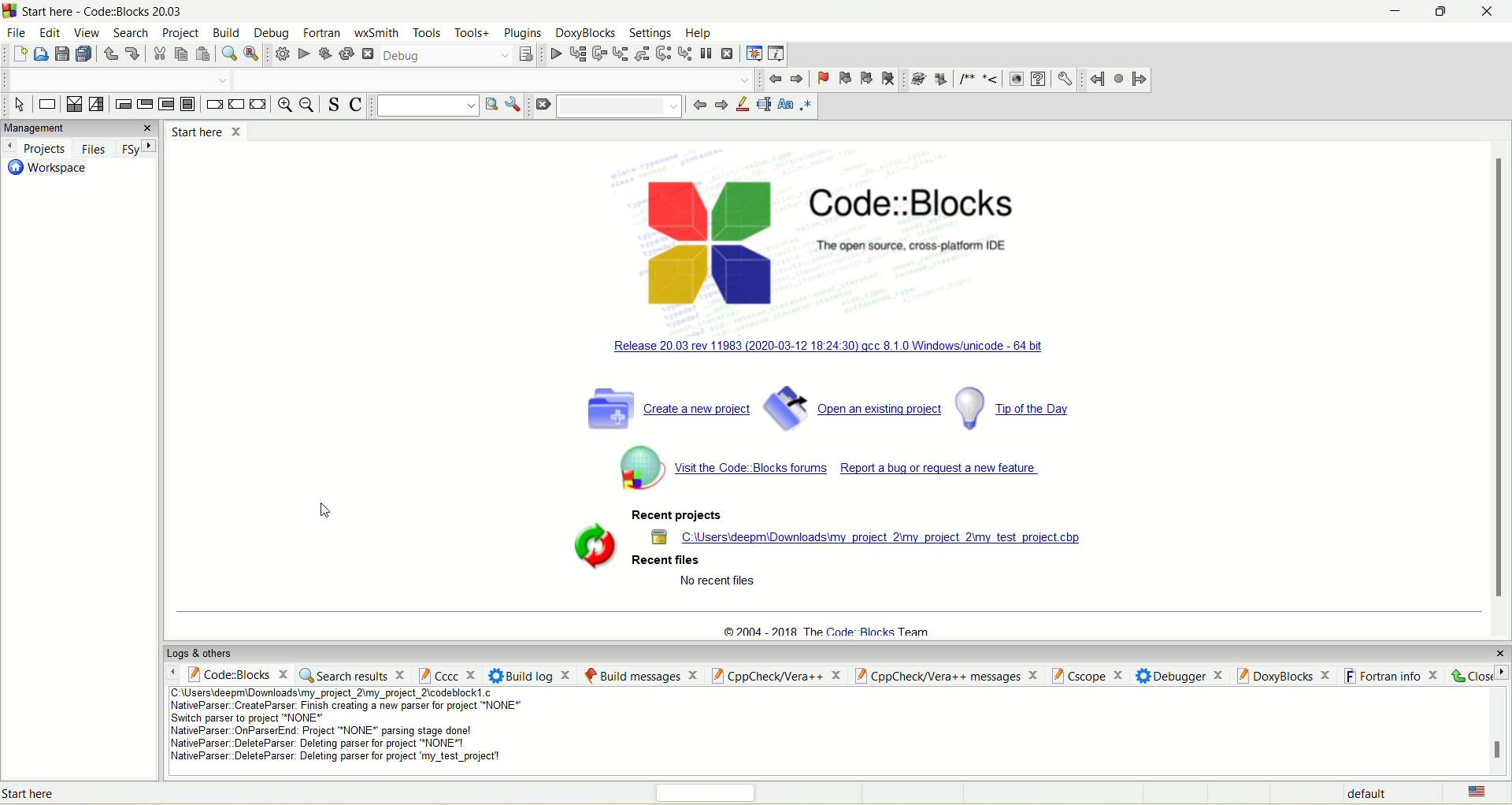 The image size is (1512, 805). Describe the element at coordinates (98, 105) in the screenshot. I see `selection` at that location.